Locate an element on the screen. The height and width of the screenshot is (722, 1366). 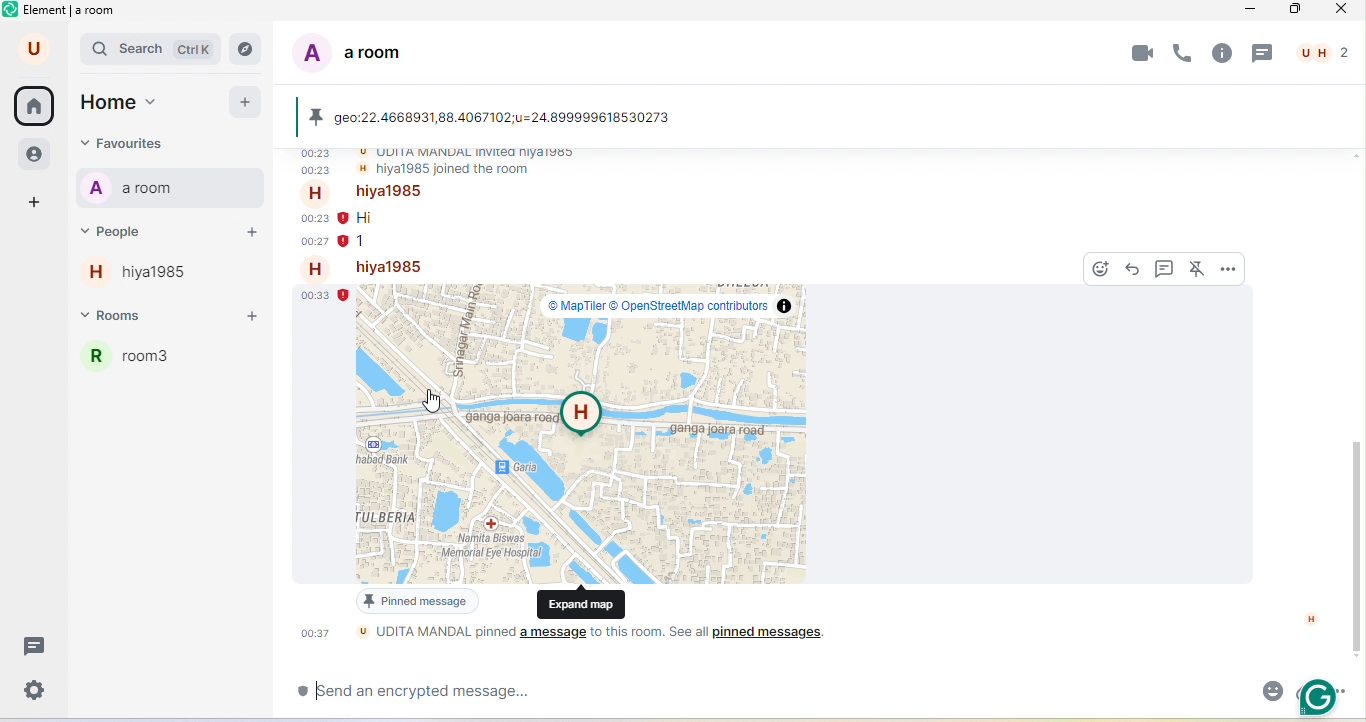
udita mandal pinned a messege to this room.see all pinned message is located at coordinates (609, 640).